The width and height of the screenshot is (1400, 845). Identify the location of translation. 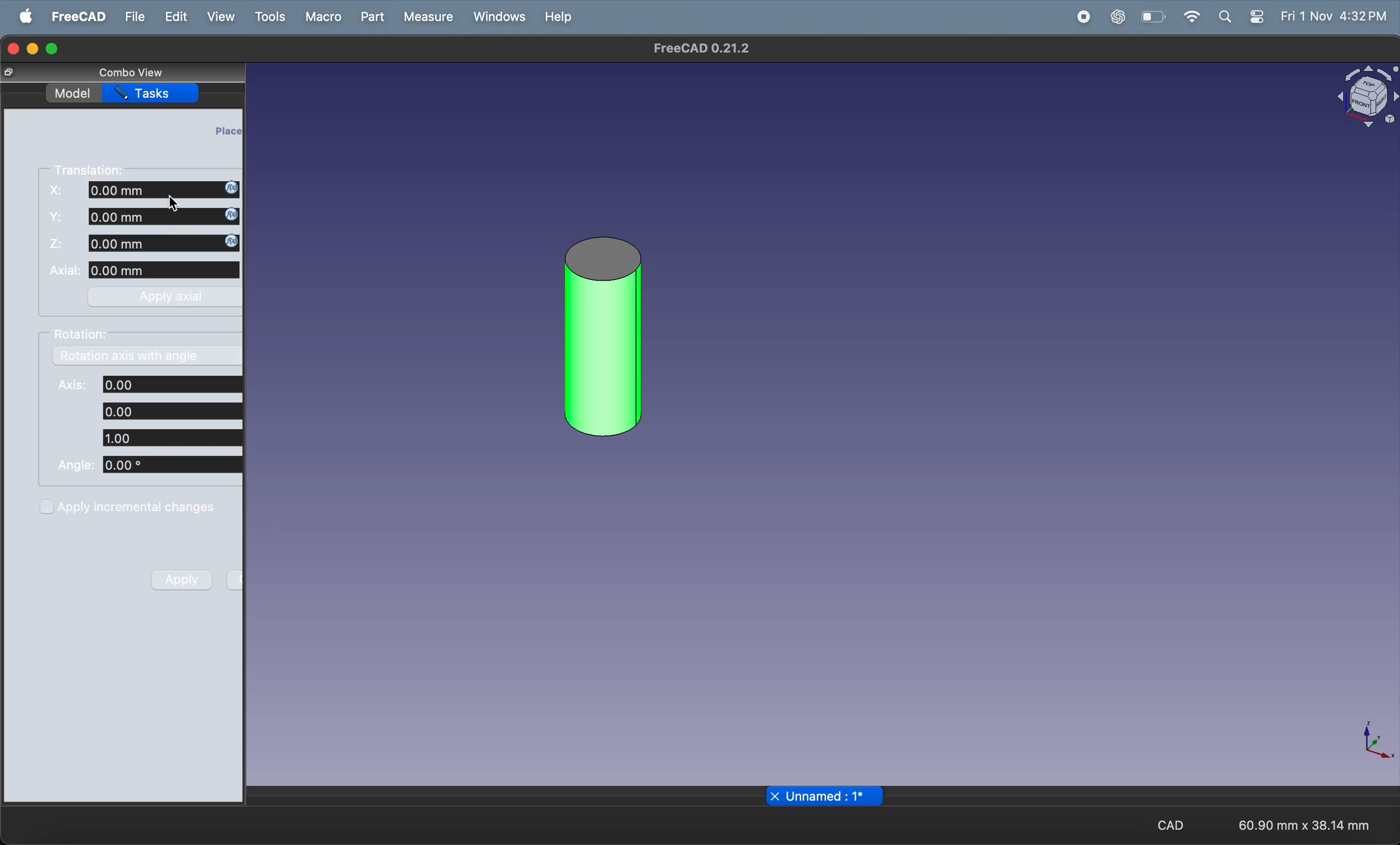
(97, 169).